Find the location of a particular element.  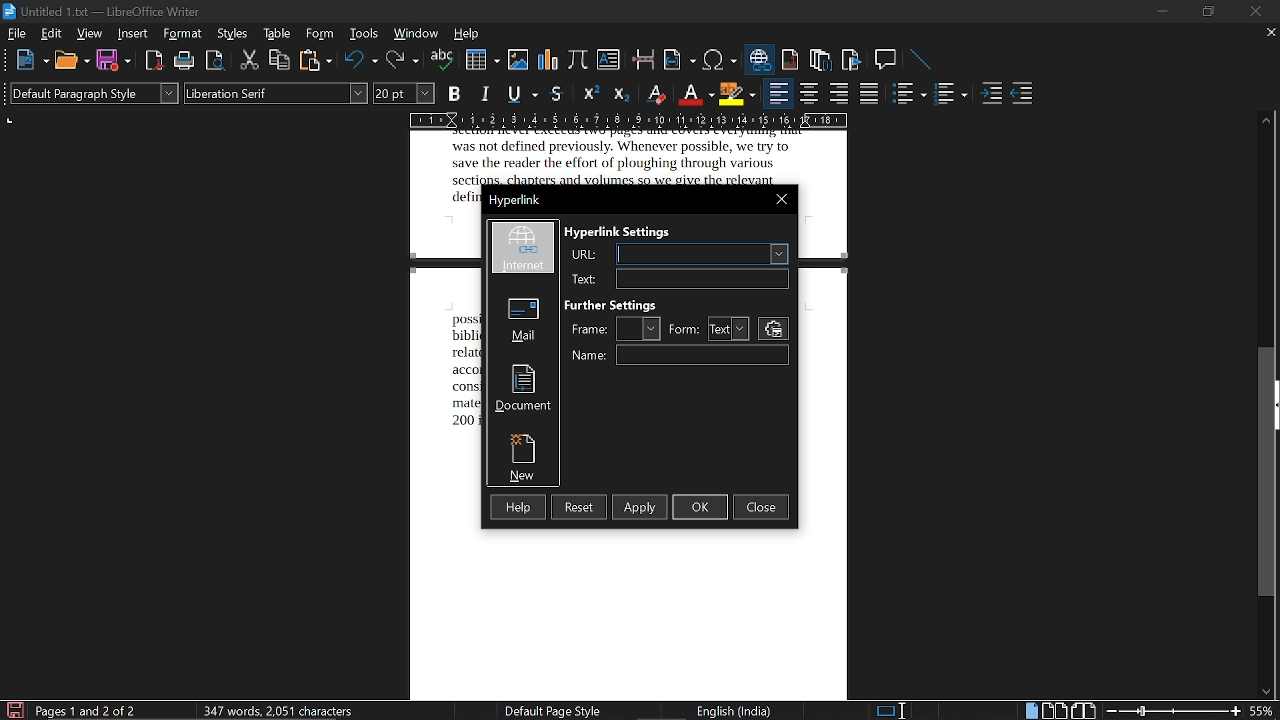

Name is located at coordinates (591, 358).